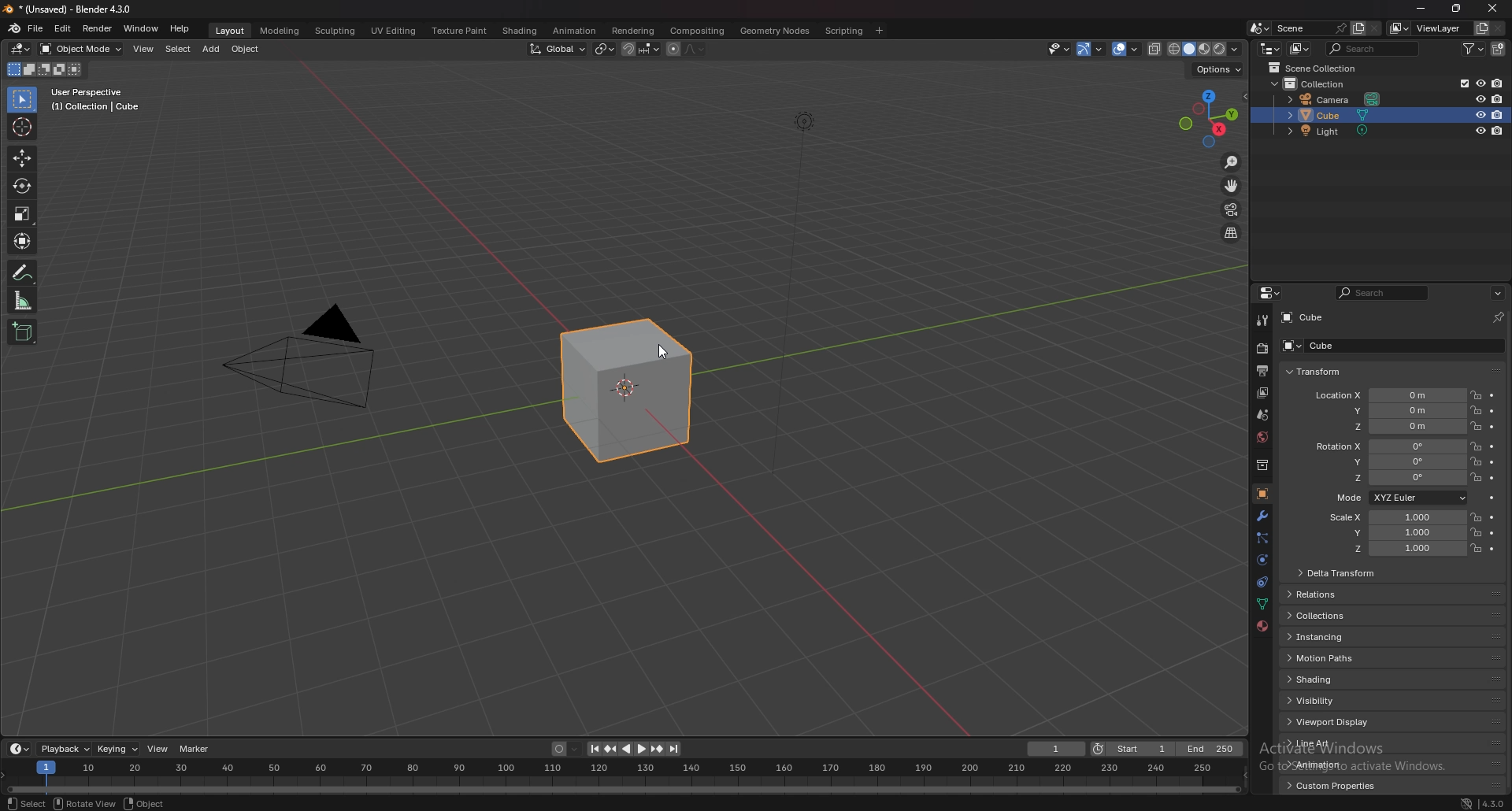 This screenshot has width=1512, height=811. What do you see at coordinates (1493, 477) in the screenshot?
I see `animate property` at bounding box center [1493, 477].